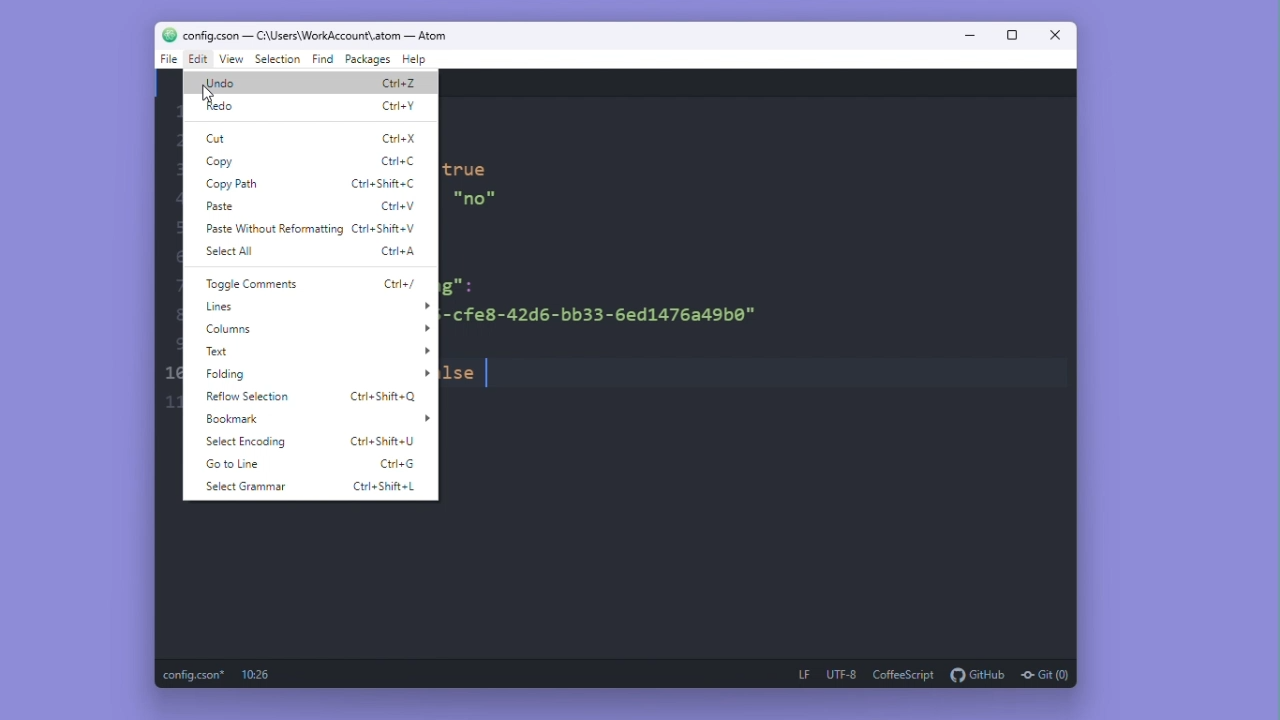 This screenshot has height=720, width=1280. Describe the element at coordinates (970, 34) in the screenshot. I see `Minimise` at that location.